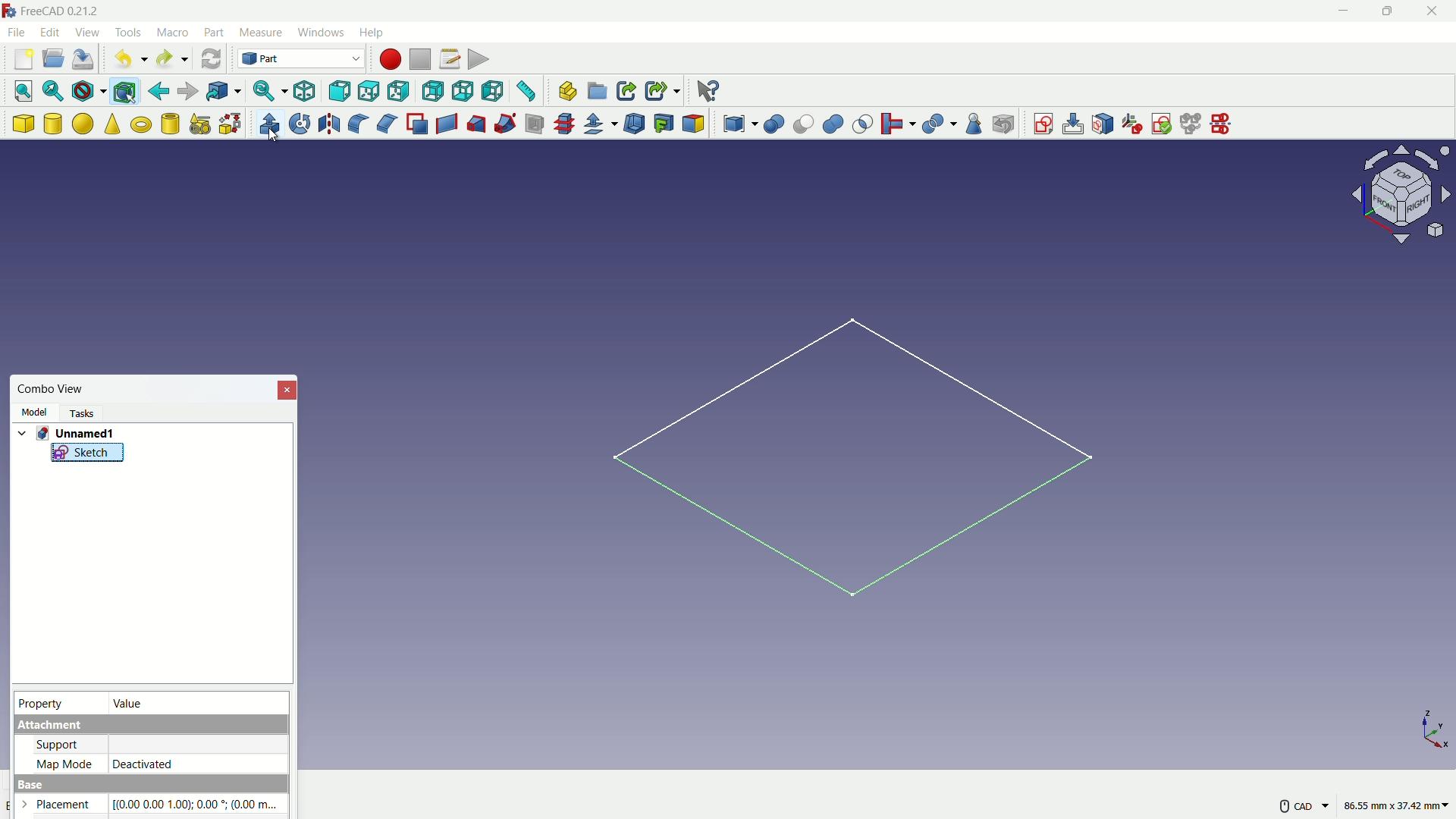 This screenshot has height=819, width=1456. I want to click on cut, so click(803, 124).